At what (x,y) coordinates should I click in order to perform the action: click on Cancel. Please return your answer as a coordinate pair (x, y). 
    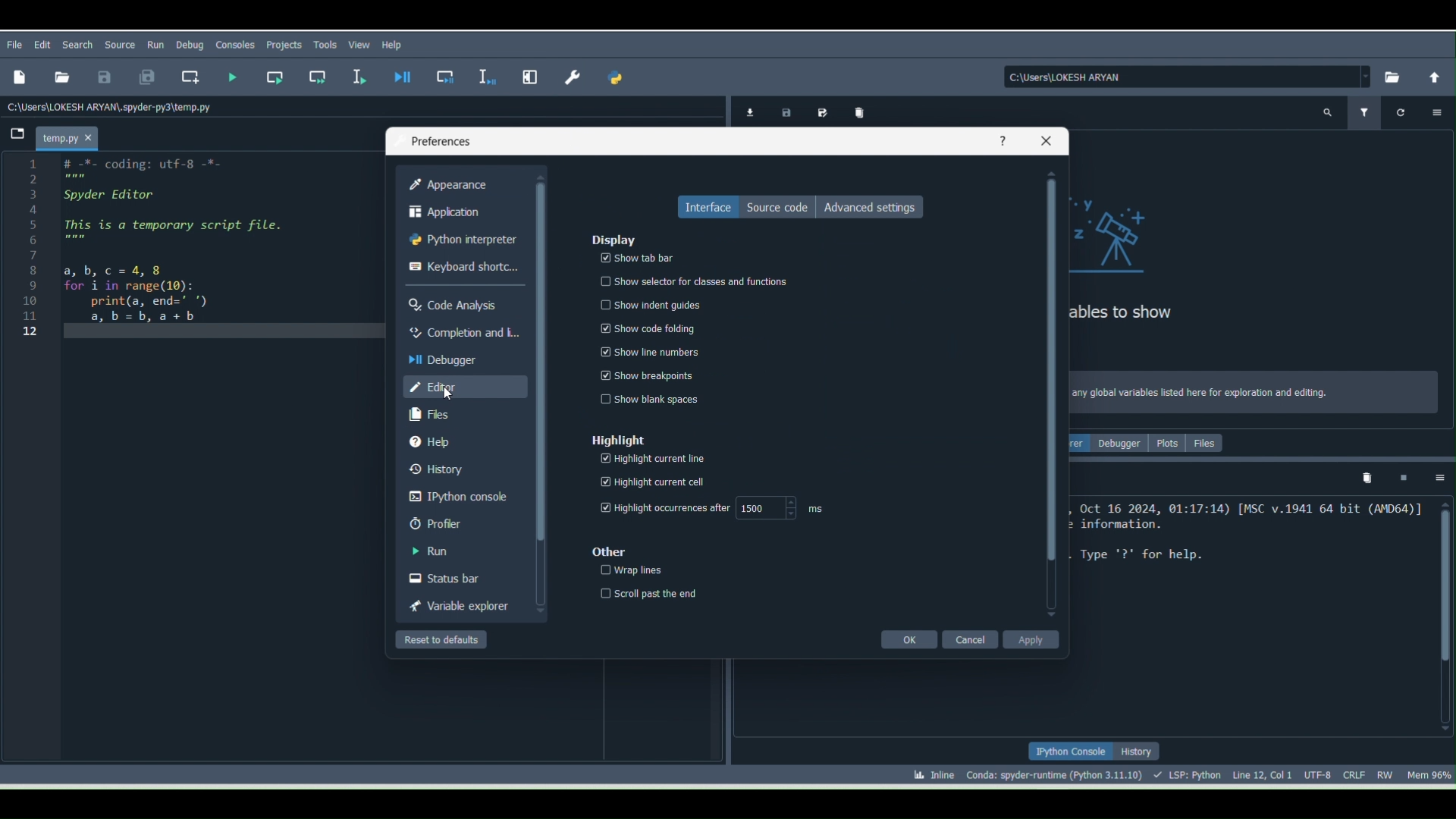
    Looking at the image, I should click on (969, 635).